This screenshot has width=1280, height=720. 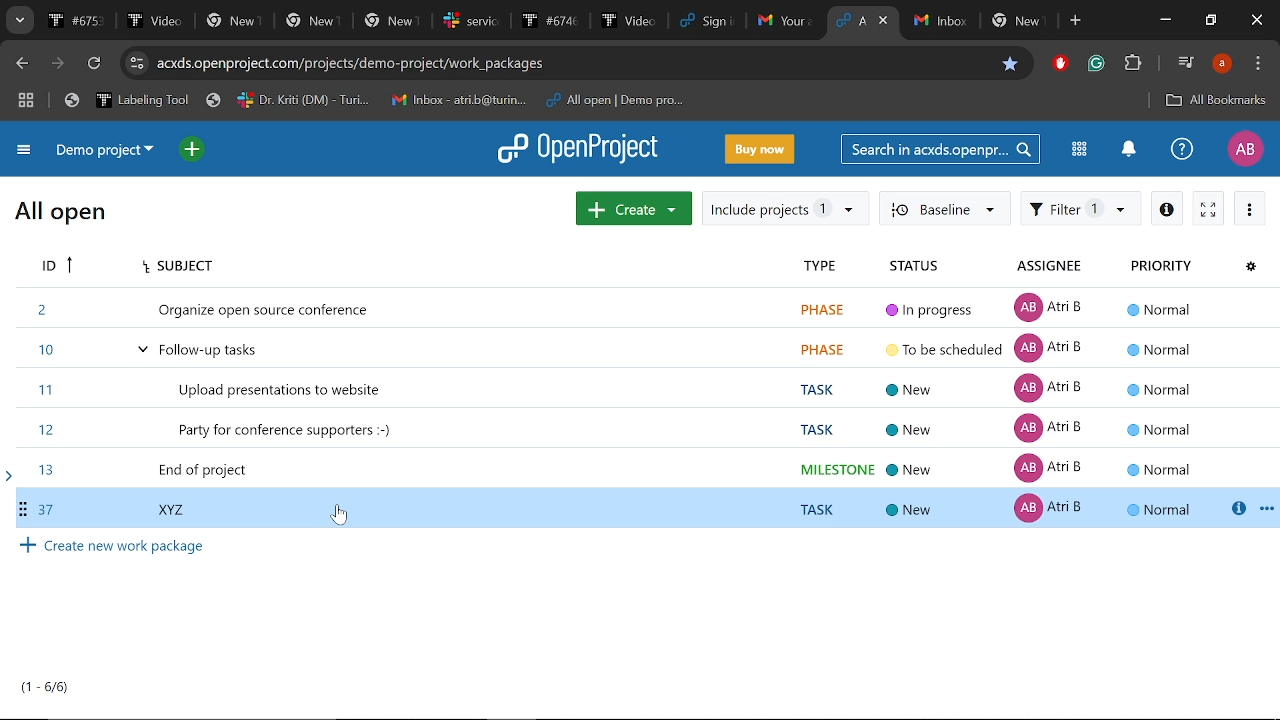 What do you see at coordinates (1216, 102) in the screenshot?
I see `All bookmarks` at bounding box center [1216, 102].